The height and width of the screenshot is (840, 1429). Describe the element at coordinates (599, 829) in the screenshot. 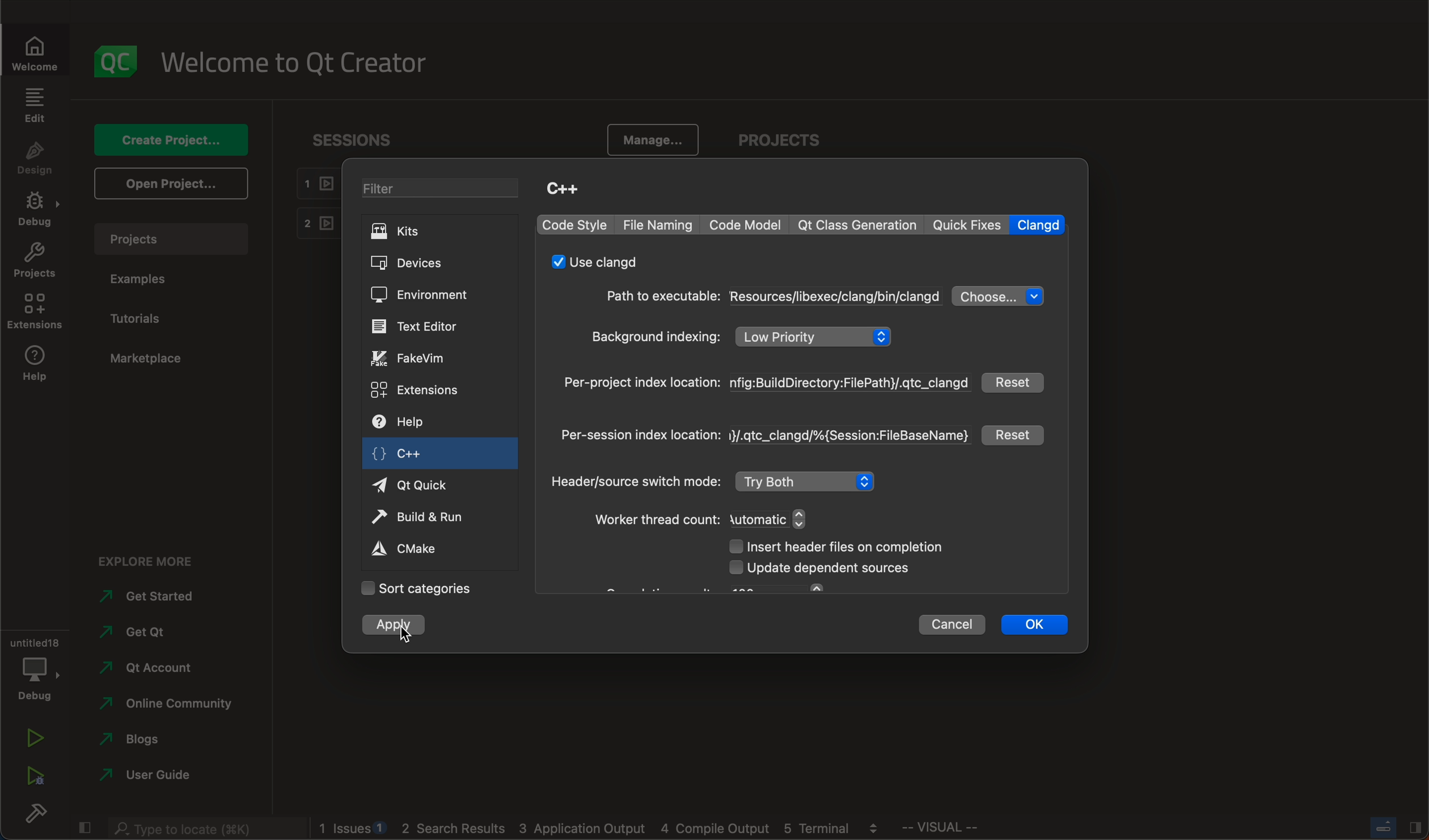

I see `logs` at that location.